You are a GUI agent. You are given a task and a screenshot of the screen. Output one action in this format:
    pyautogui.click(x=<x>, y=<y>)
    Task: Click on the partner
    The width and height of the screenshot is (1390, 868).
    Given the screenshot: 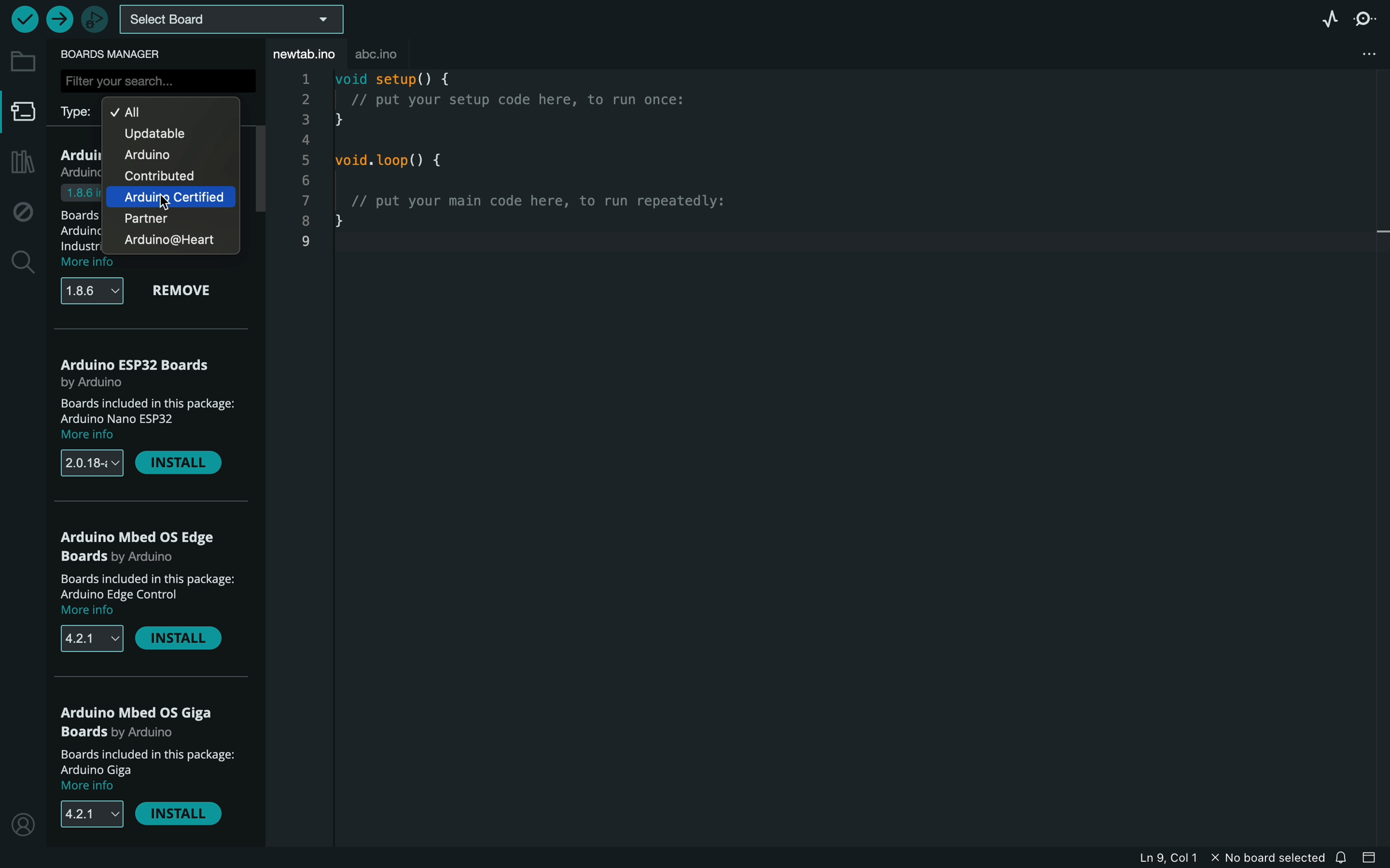 What is the action you would take?
    pyautogui.click(x=155, y=218)
    